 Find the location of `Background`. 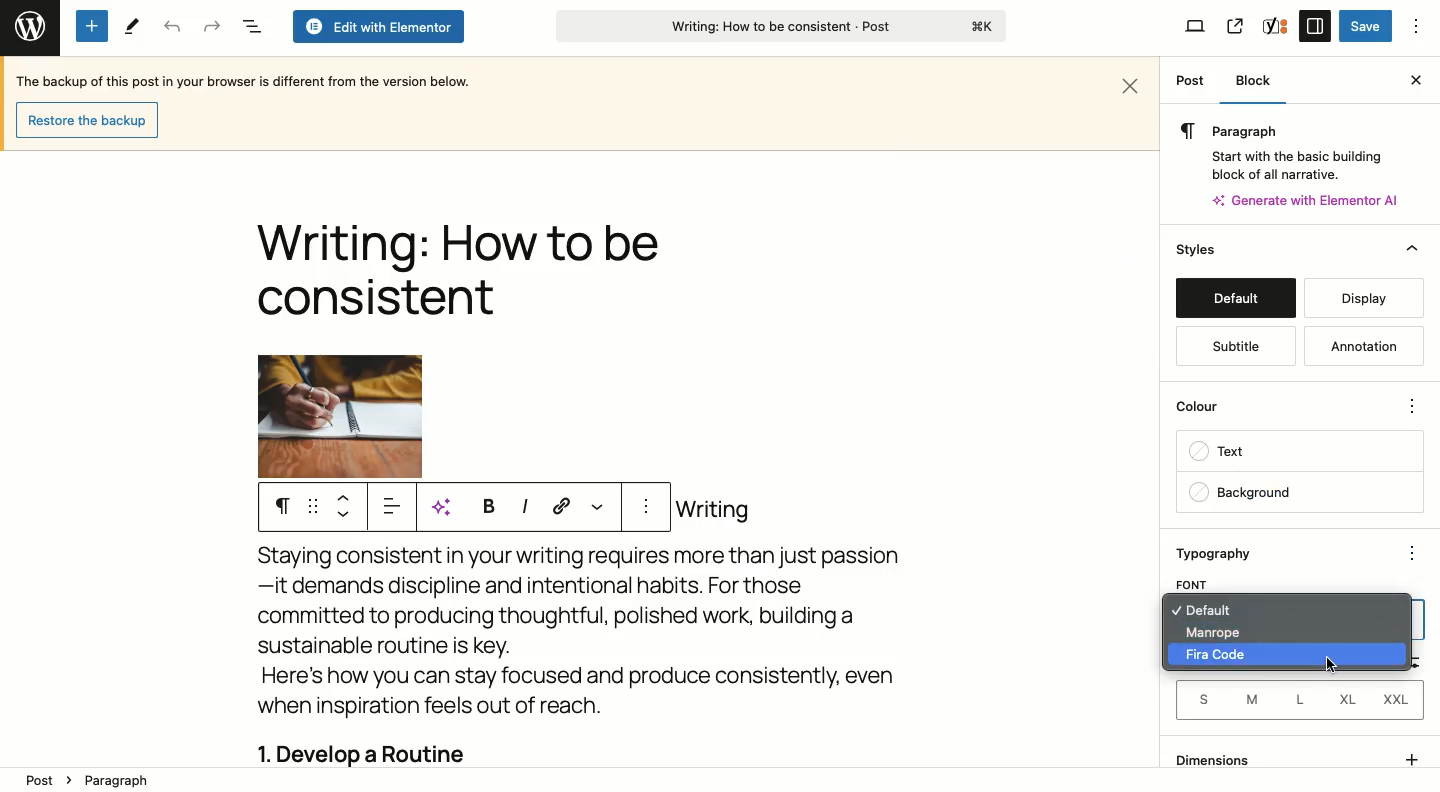

Background is located at coordinates (1298, 492).